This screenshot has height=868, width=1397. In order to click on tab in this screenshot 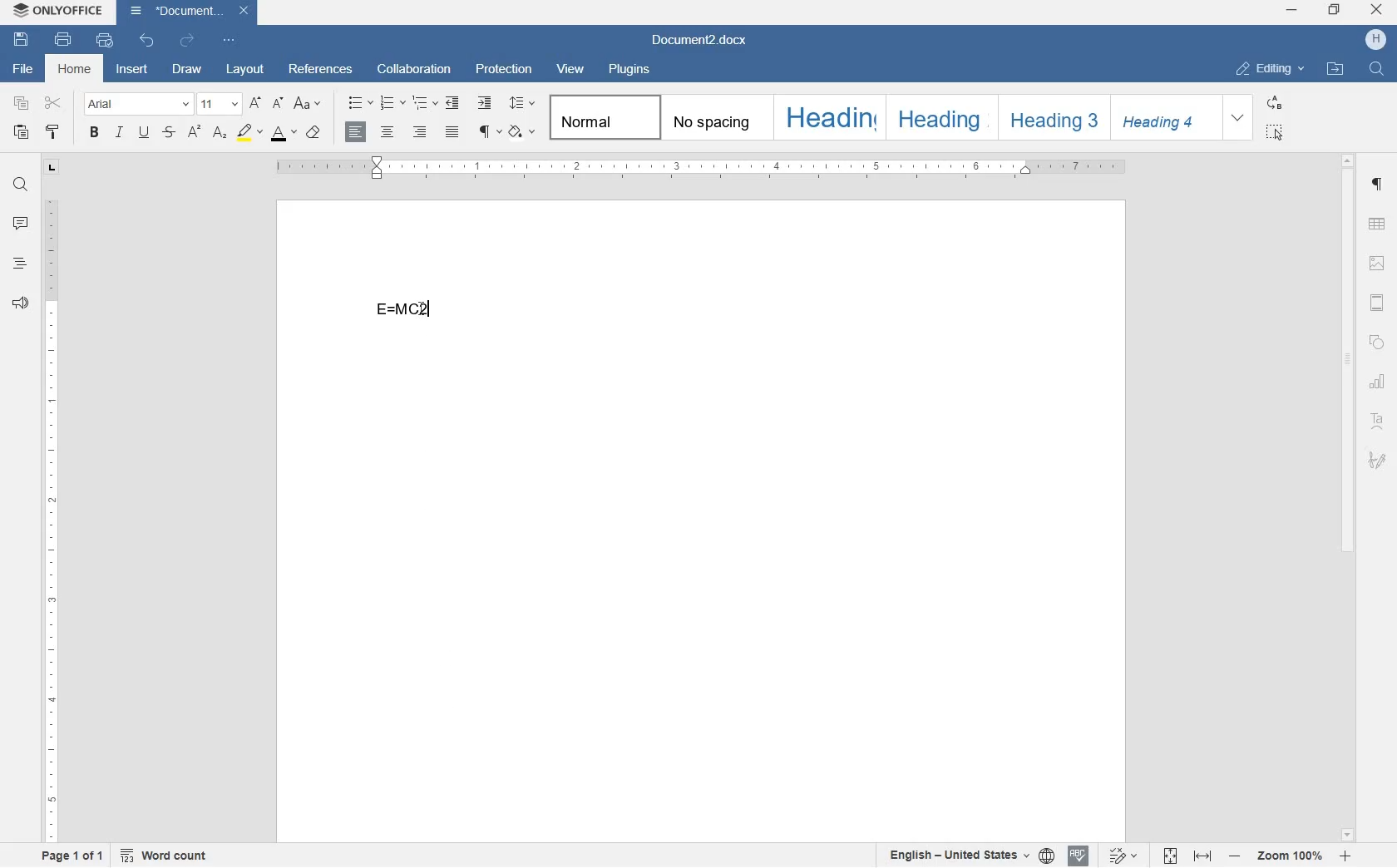, I will do `click(51, 165)`.